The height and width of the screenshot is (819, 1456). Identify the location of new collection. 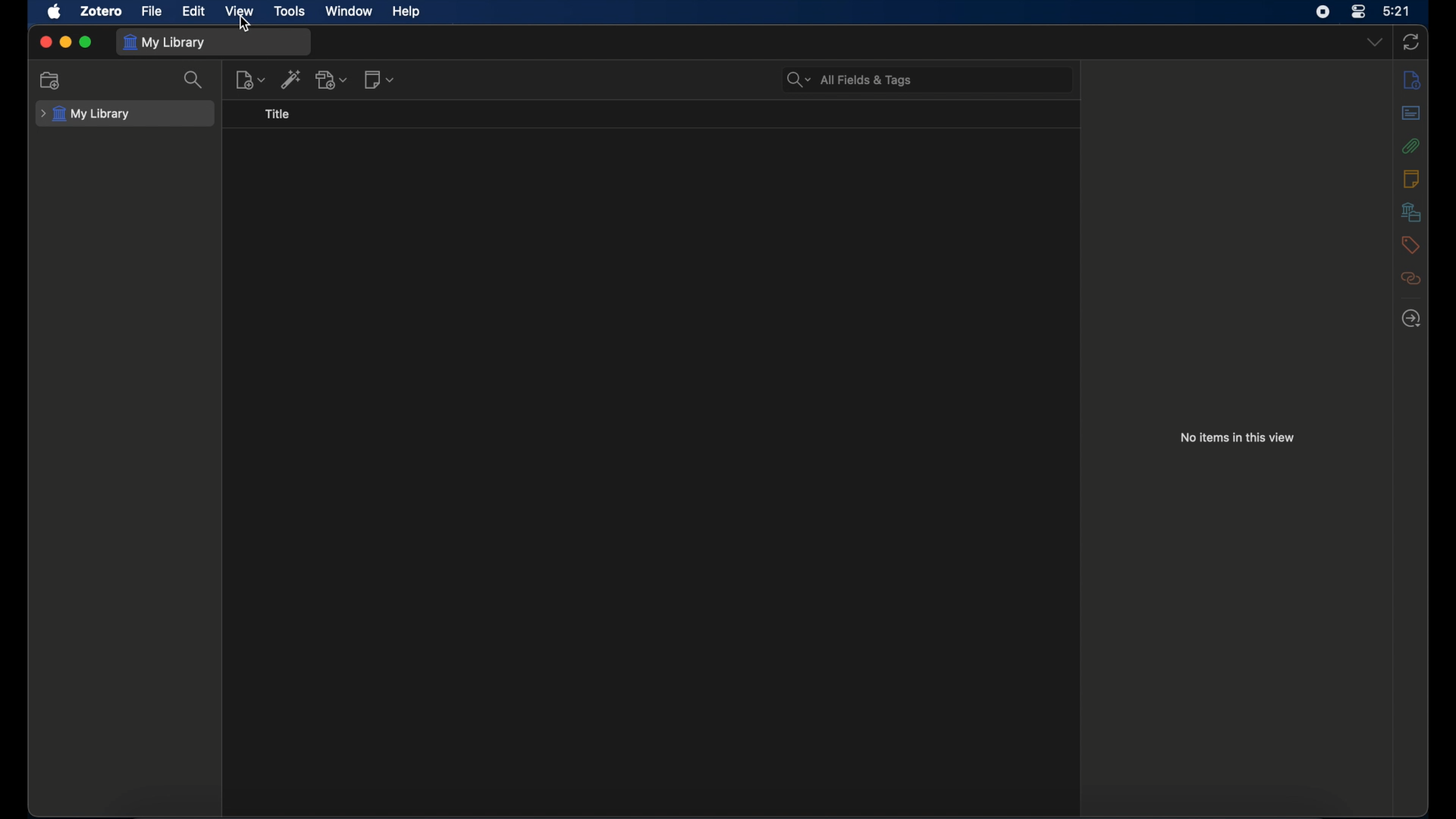
(51, 80).